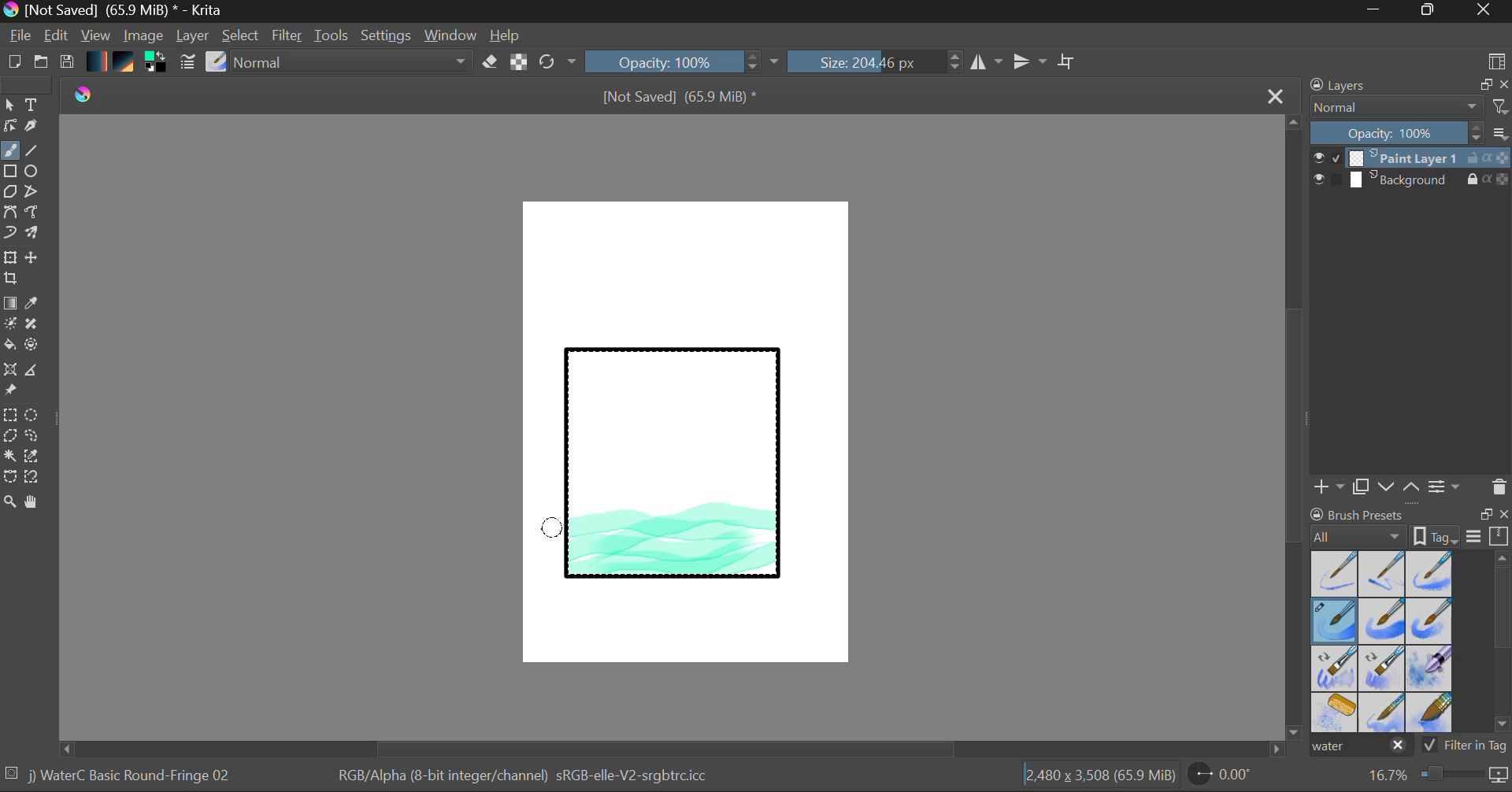 The width and height of the screenshot is (1512, 792). Describe the element at coordinates (1069, 61) in the screenshot. I see `Crop` at that location.